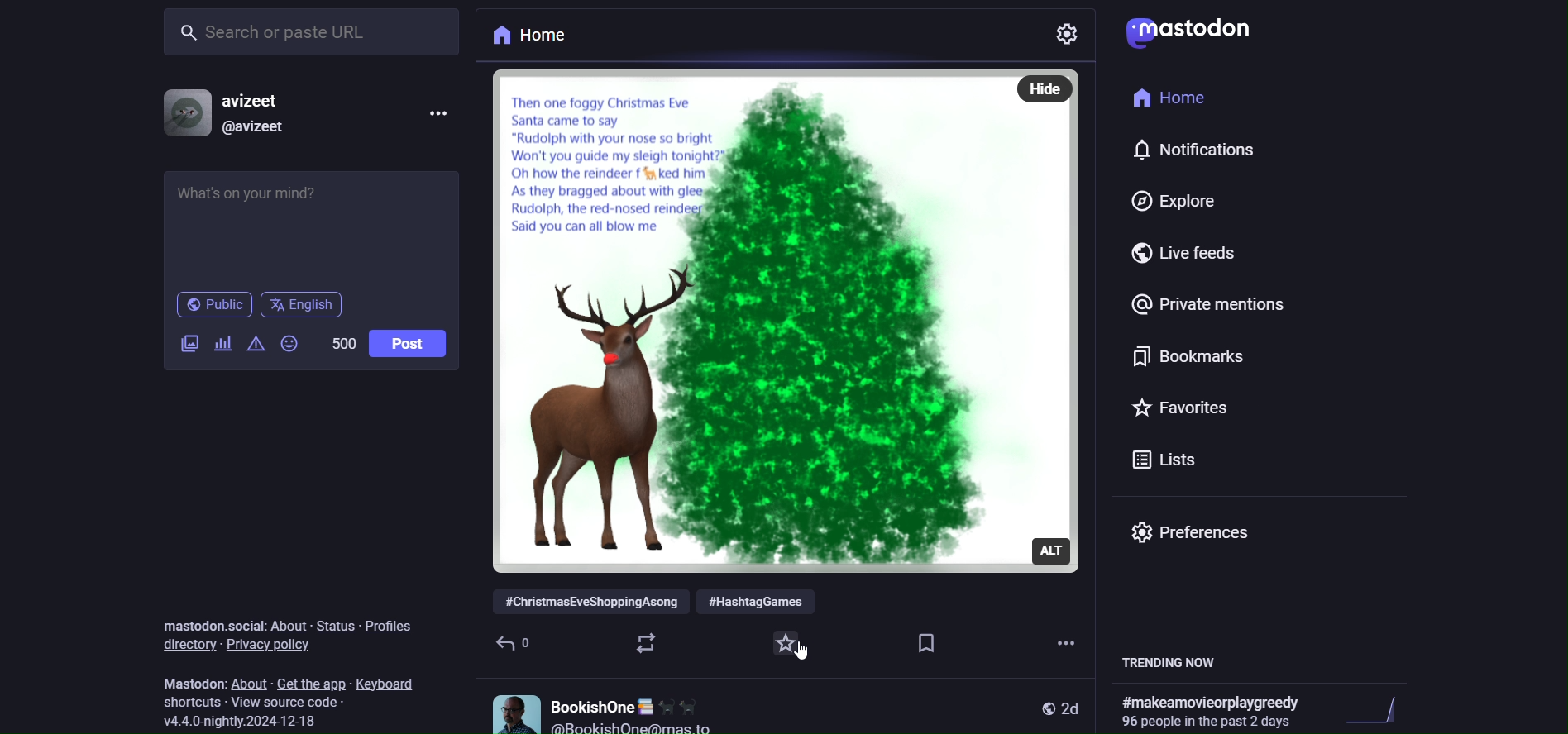  Describe the element at coordinates (1187, 356) in the screenshot. I see `bookmark` at that location.